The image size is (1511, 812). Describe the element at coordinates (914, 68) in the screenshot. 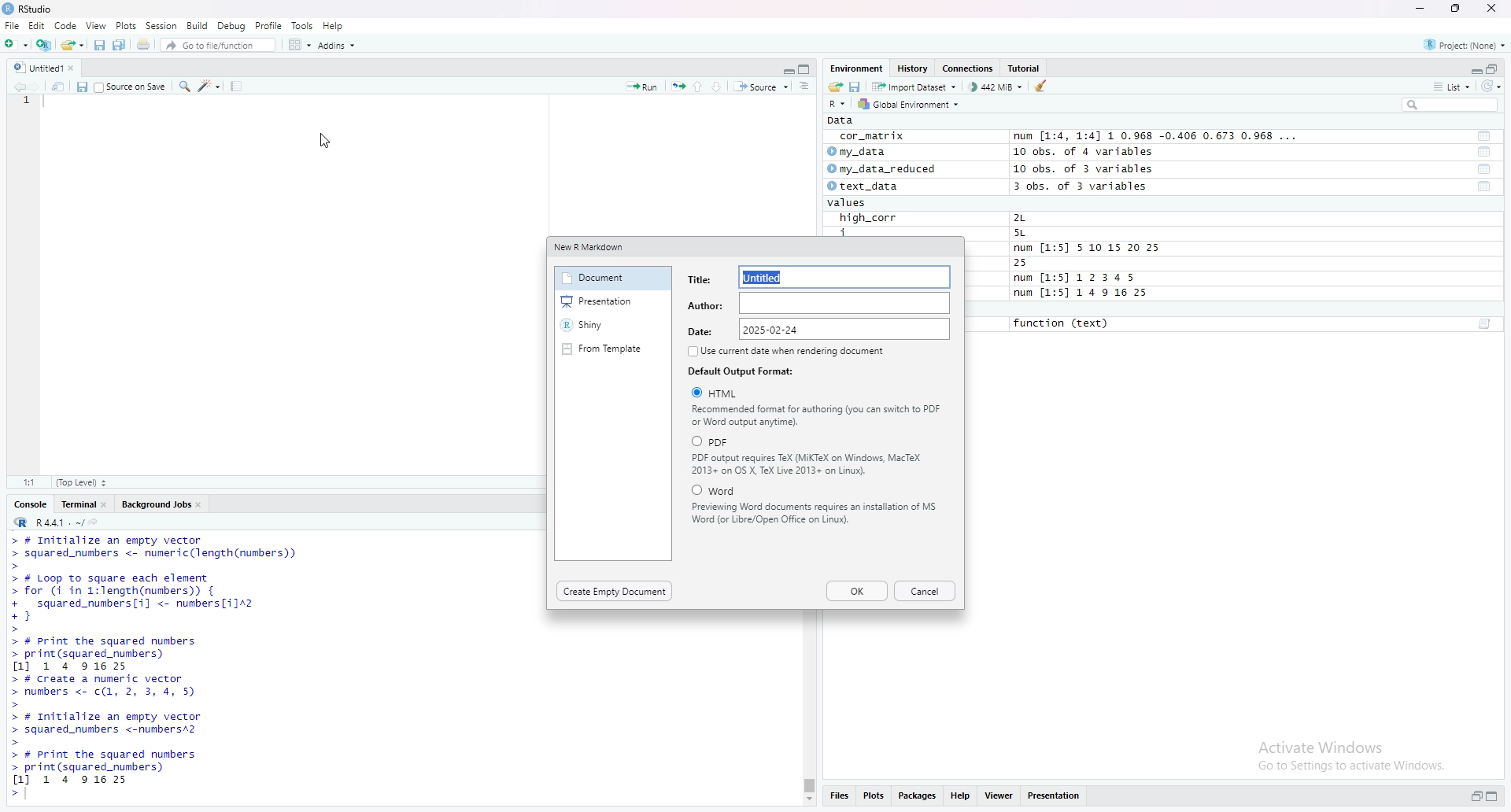

I see `History` at that location.